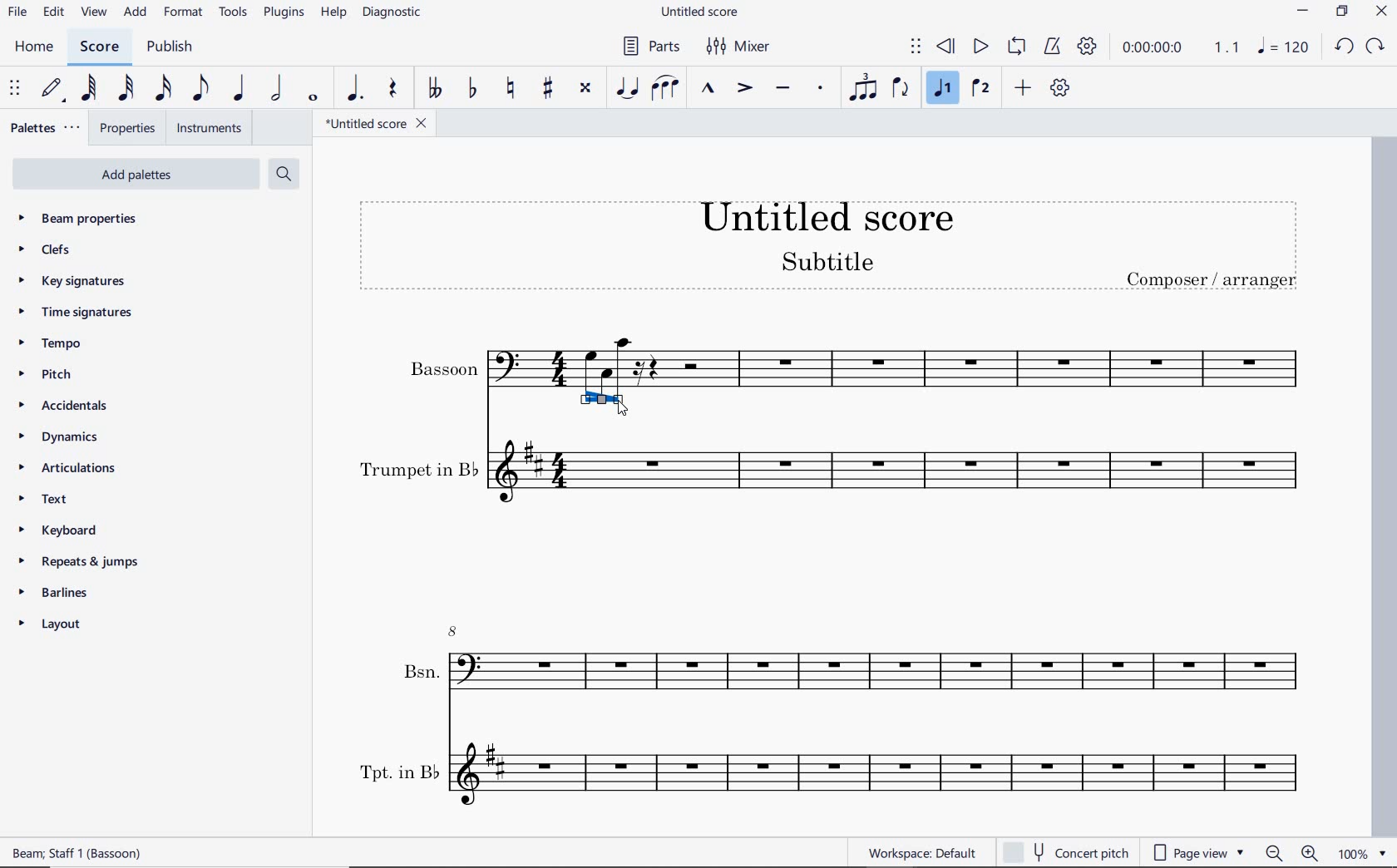  What do you see at coordinates (54, 88) in the screenshot?
I see `default (step time)` at bounding box center [54, 88].